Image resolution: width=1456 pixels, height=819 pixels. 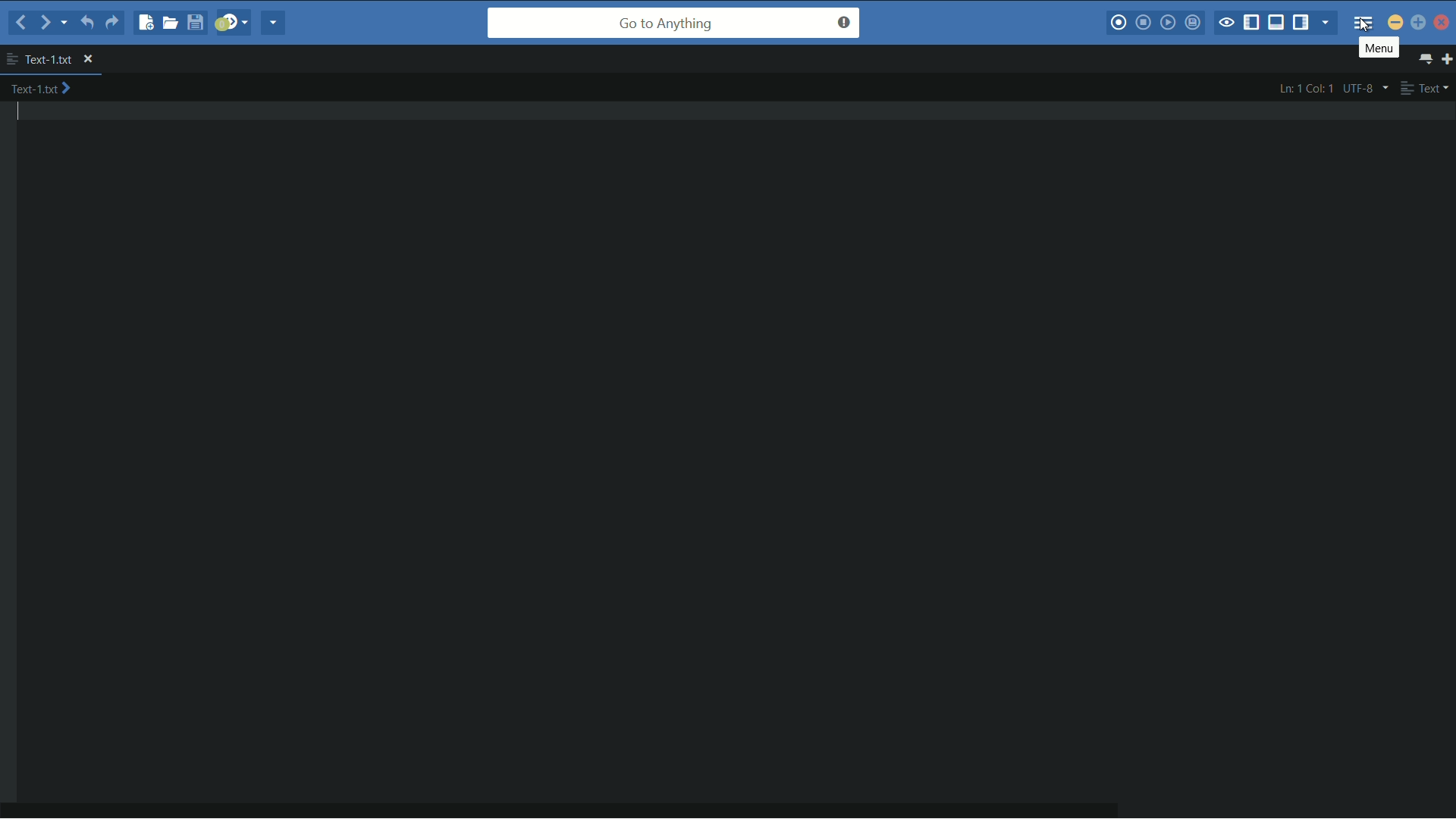 What do you see at coordinates (65, 25) in the screenshot?
I see `recent locations` at bounding box center [65, 25].